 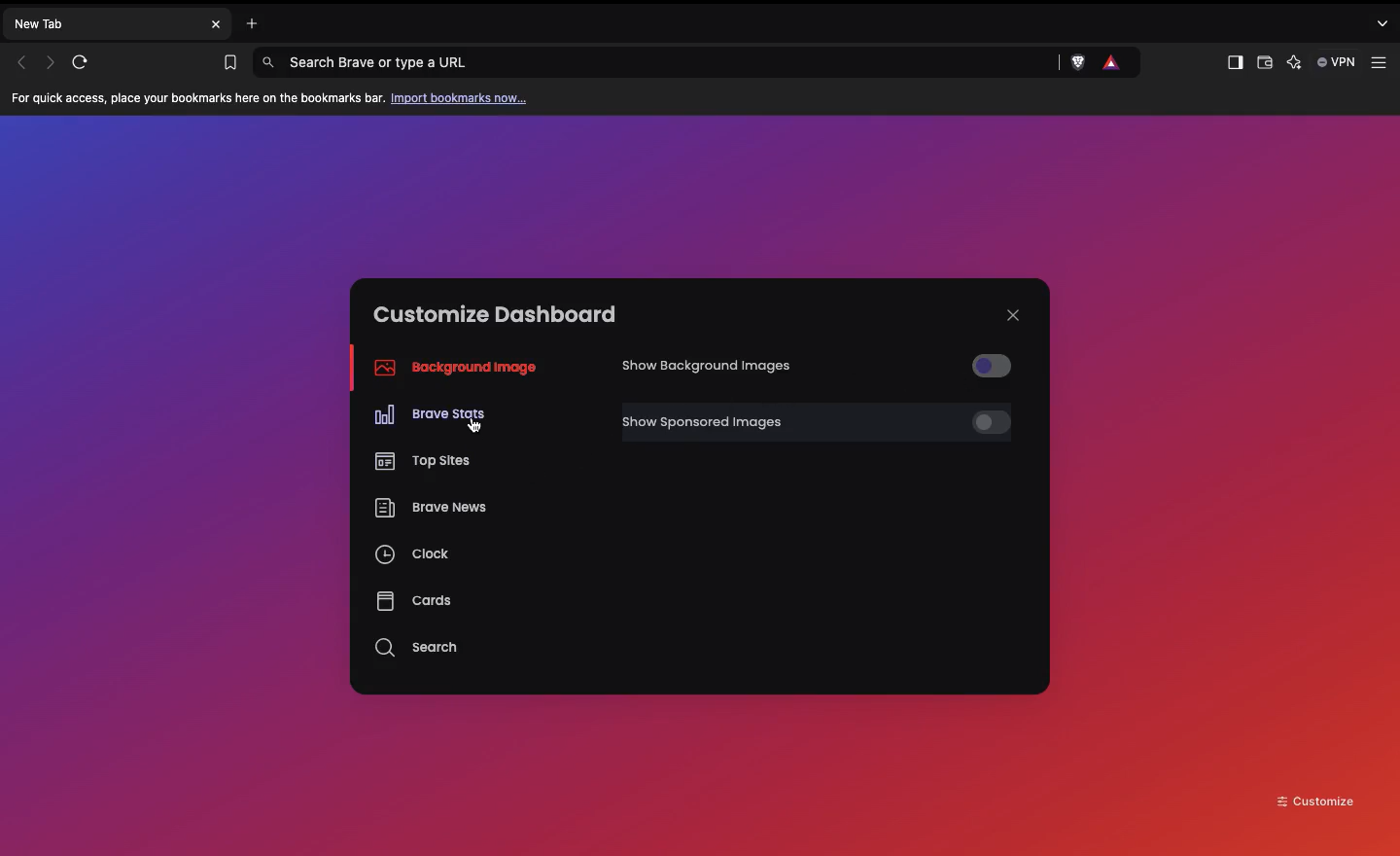 What do you see at coordinates (1316, 800) in the screenshot?
I see `Customize` at bounding box center [1316, 800].